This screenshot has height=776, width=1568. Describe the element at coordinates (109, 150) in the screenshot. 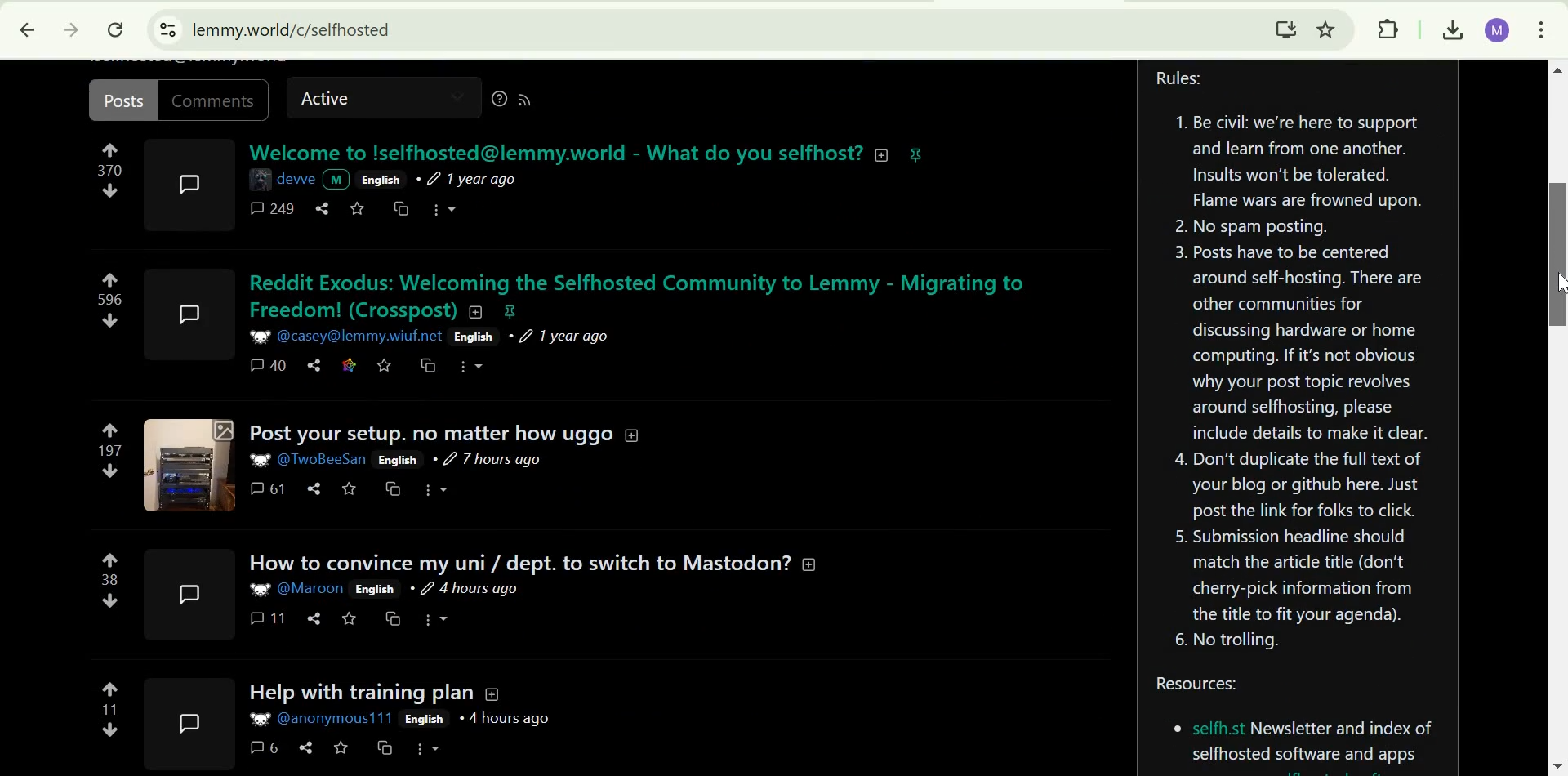

I see `upvote` at that location.